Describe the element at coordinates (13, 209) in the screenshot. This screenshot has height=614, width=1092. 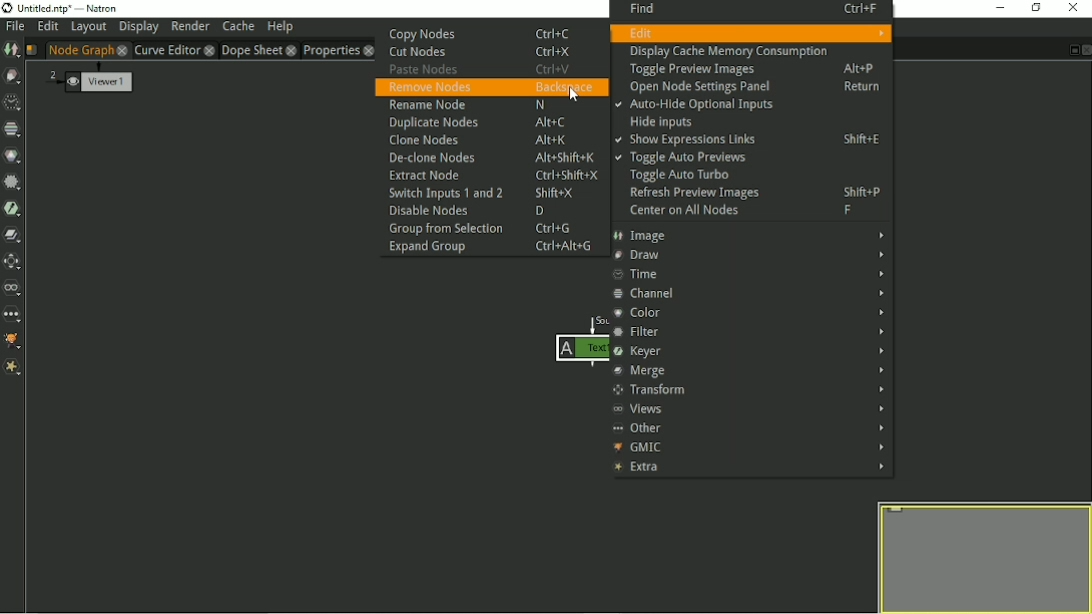
I see `Keyer` at that location.